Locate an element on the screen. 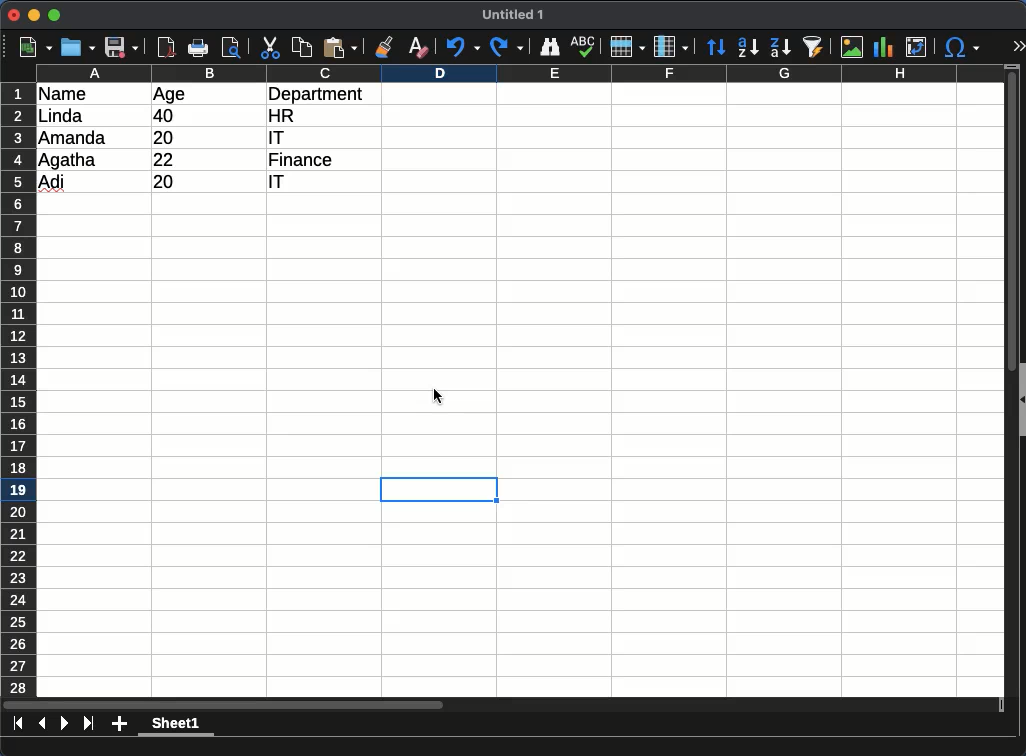 This screenshot has height=756, width=1026. image is located at coordinates (851, 49).